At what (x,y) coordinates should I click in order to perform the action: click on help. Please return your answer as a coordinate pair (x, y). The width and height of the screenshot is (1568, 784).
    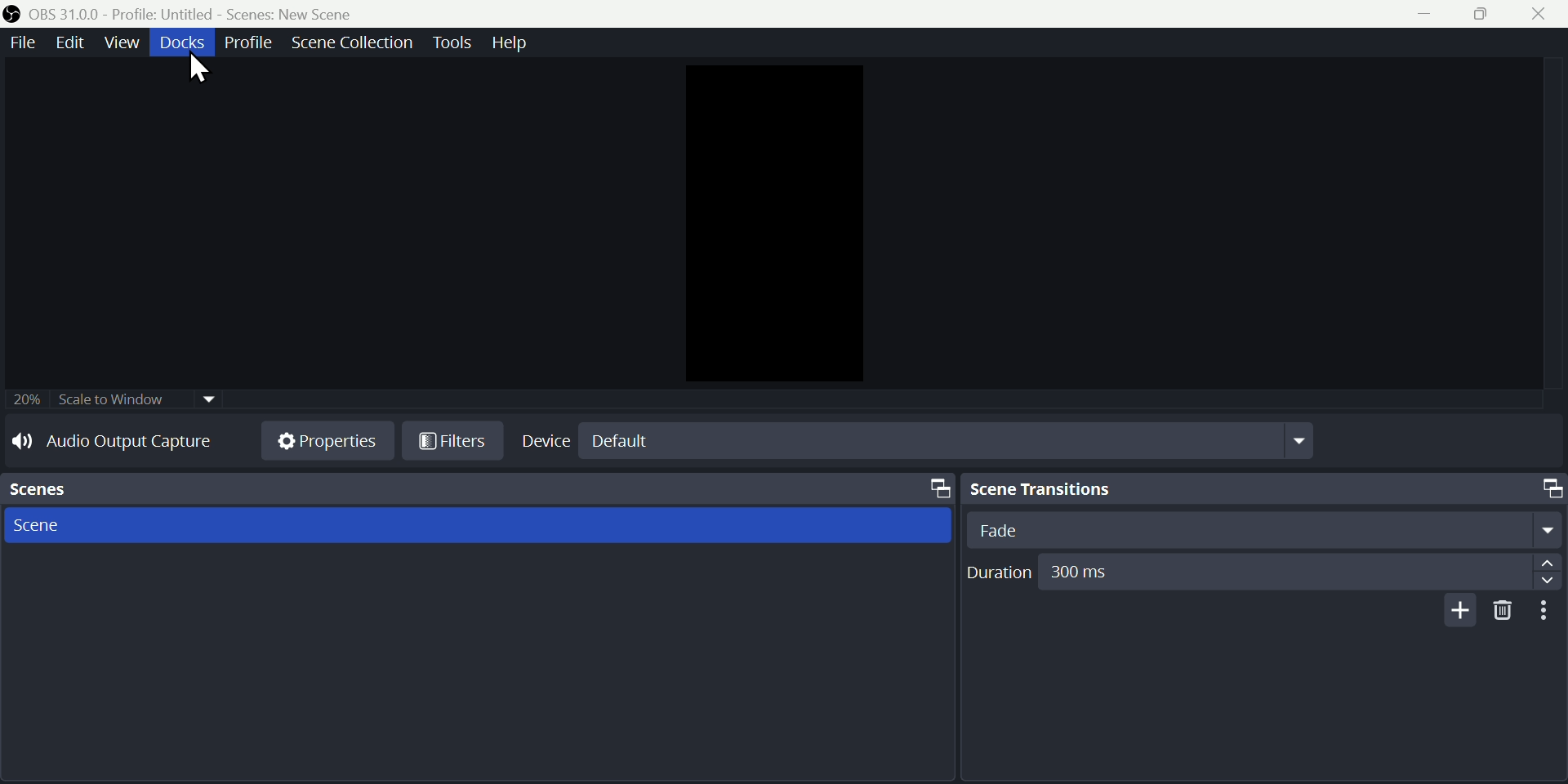
    Looking at the image, I should click on (515, 43).